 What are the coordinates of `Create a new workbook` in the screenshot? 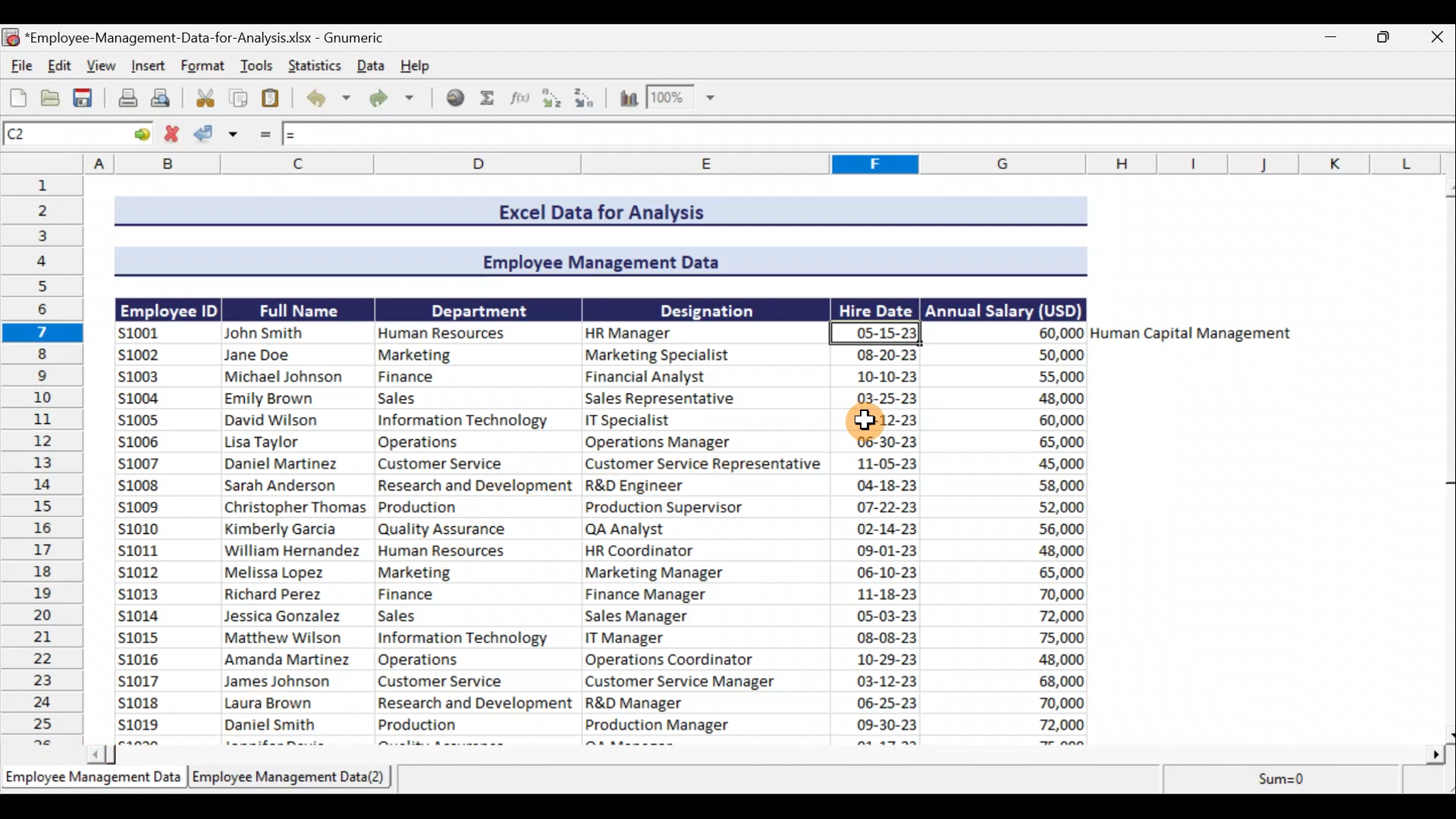 It's located at (17, 98).